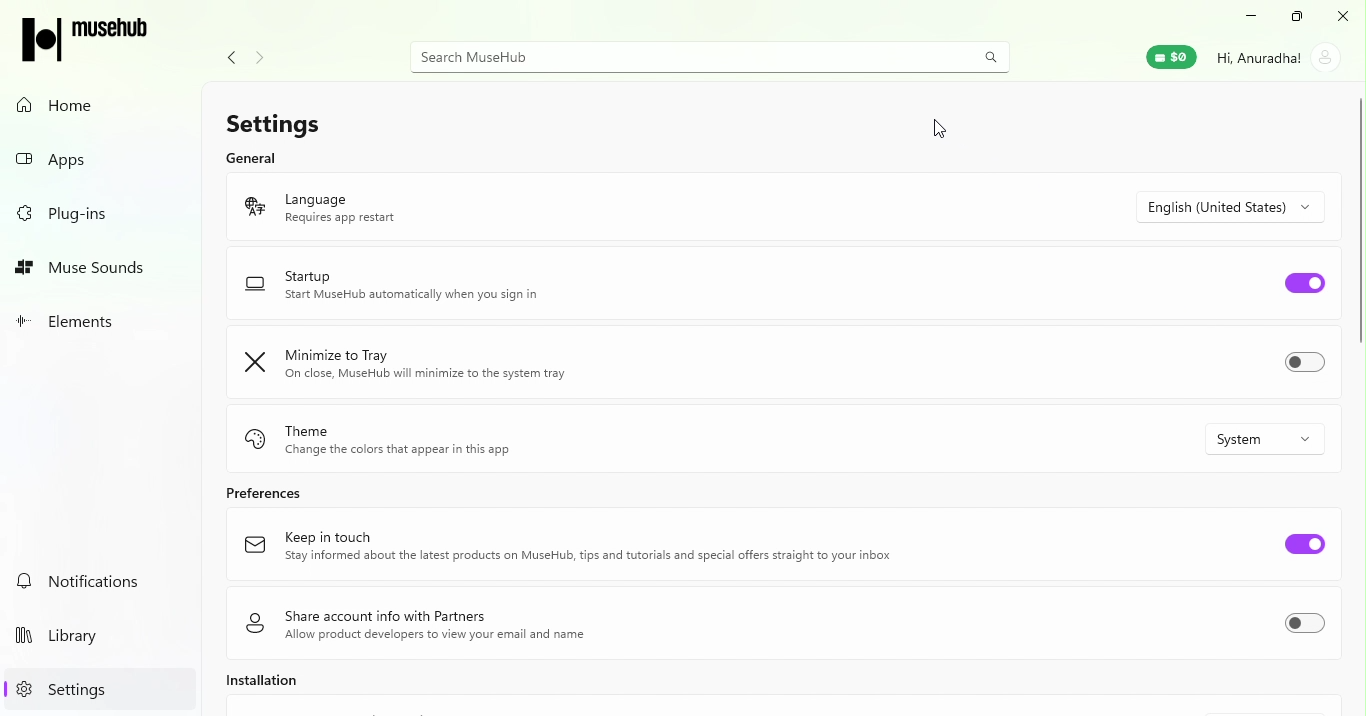 This screenshot has width=1366, height=716. What do you see at coordinates (79, 322) in the screenshot?
I see `Elements` at bounding box center [79, 322].